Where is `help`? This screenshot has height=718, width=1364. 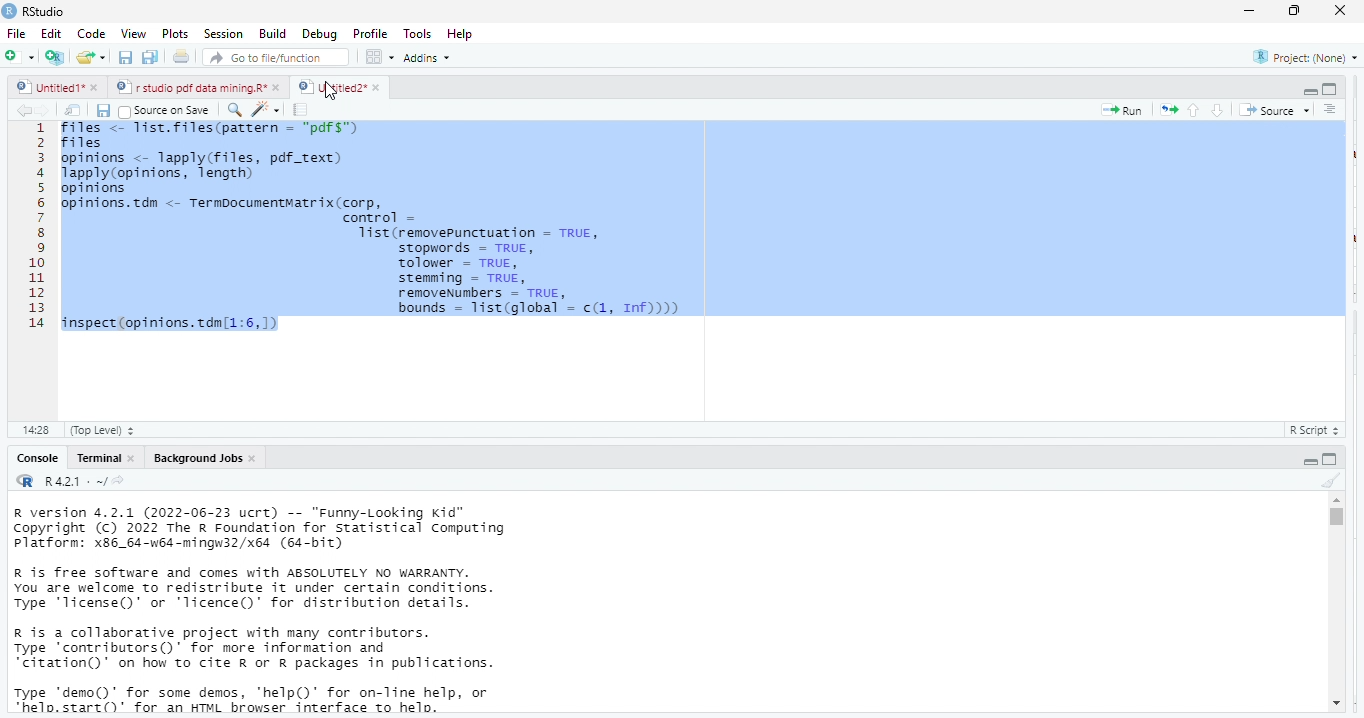
help is located at coordinates (467, 33).